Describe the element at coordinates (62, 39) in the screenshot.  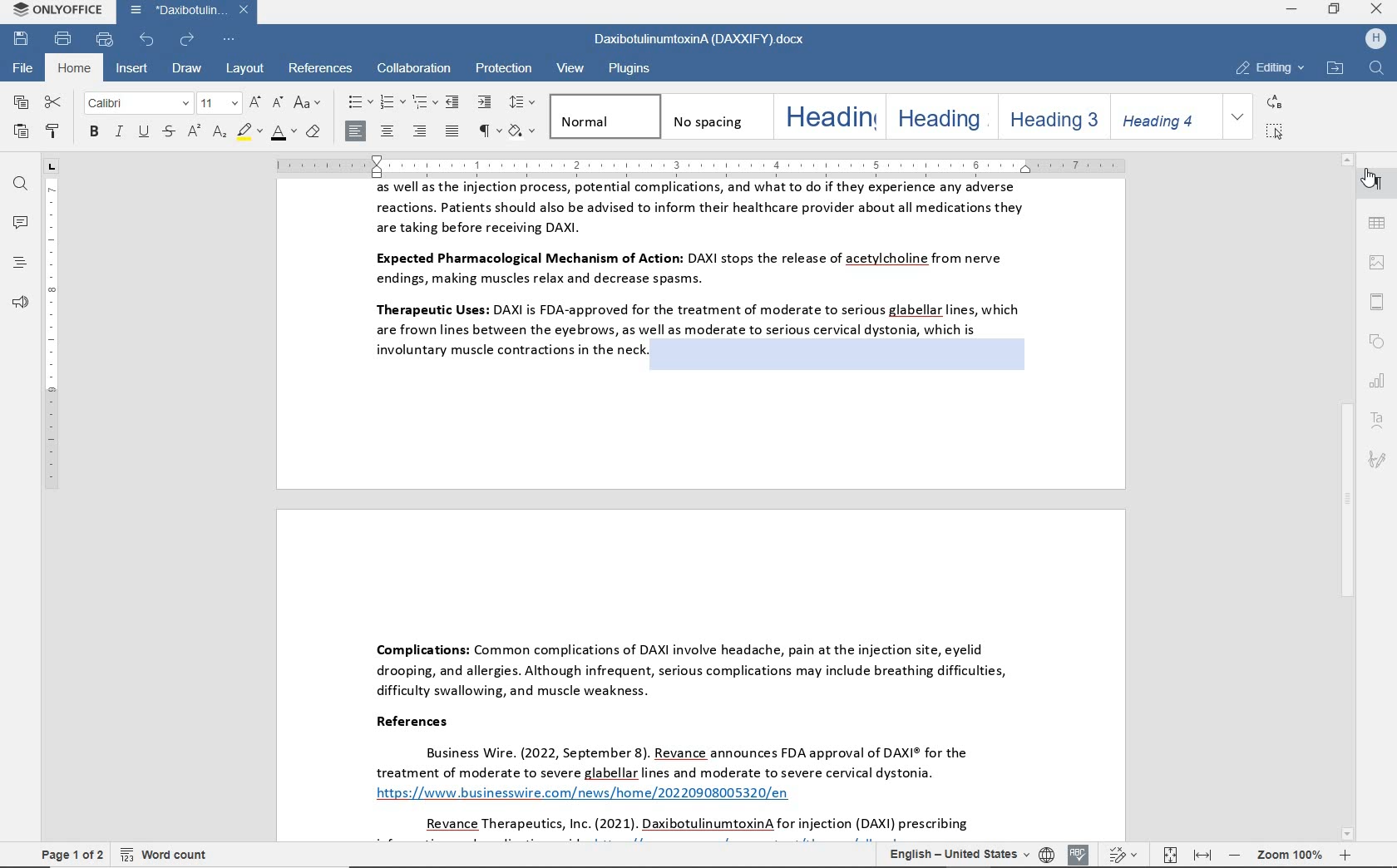
I see `print` at that location.